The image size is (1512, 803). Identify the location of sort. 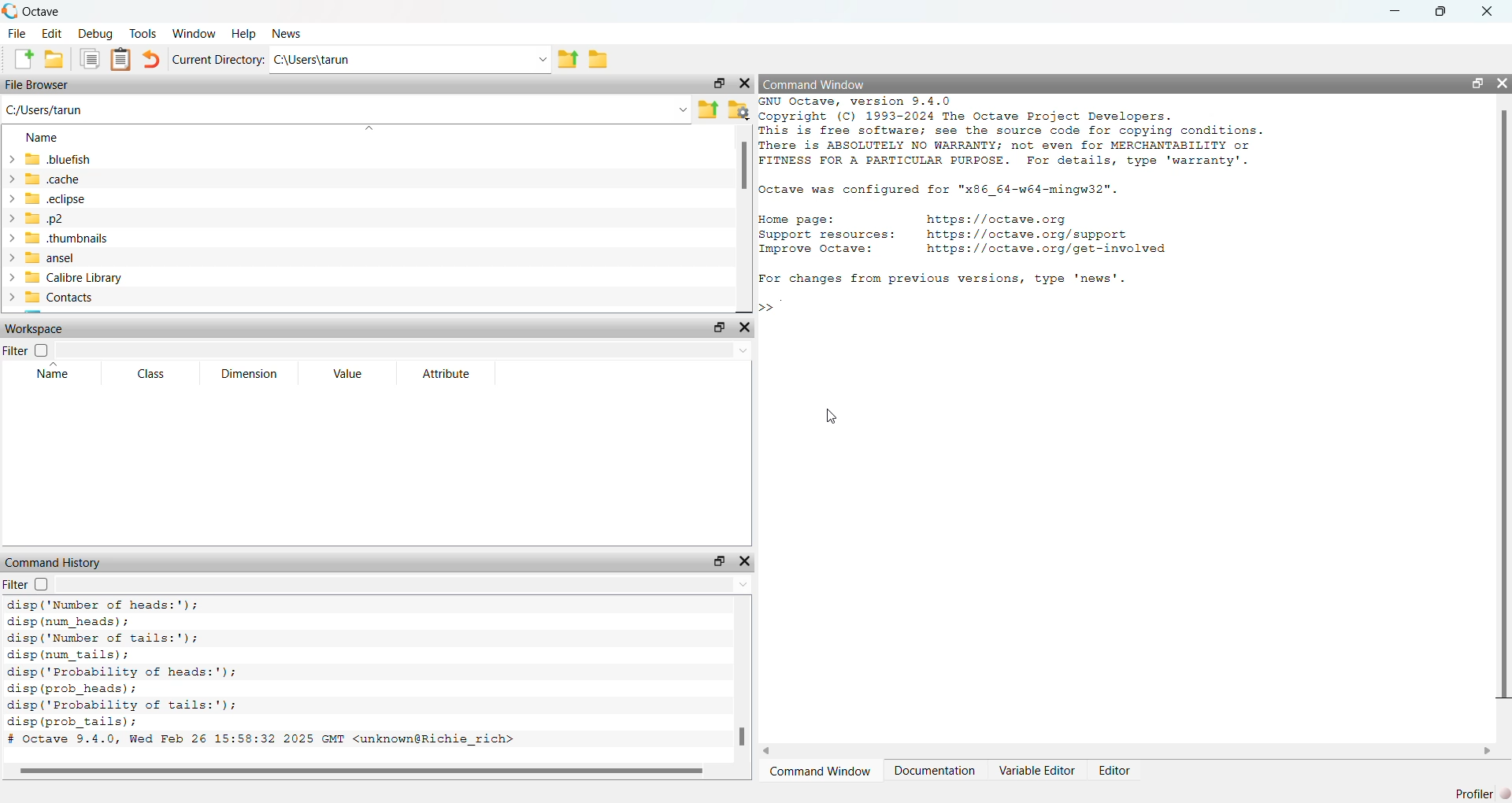
(369, 128).